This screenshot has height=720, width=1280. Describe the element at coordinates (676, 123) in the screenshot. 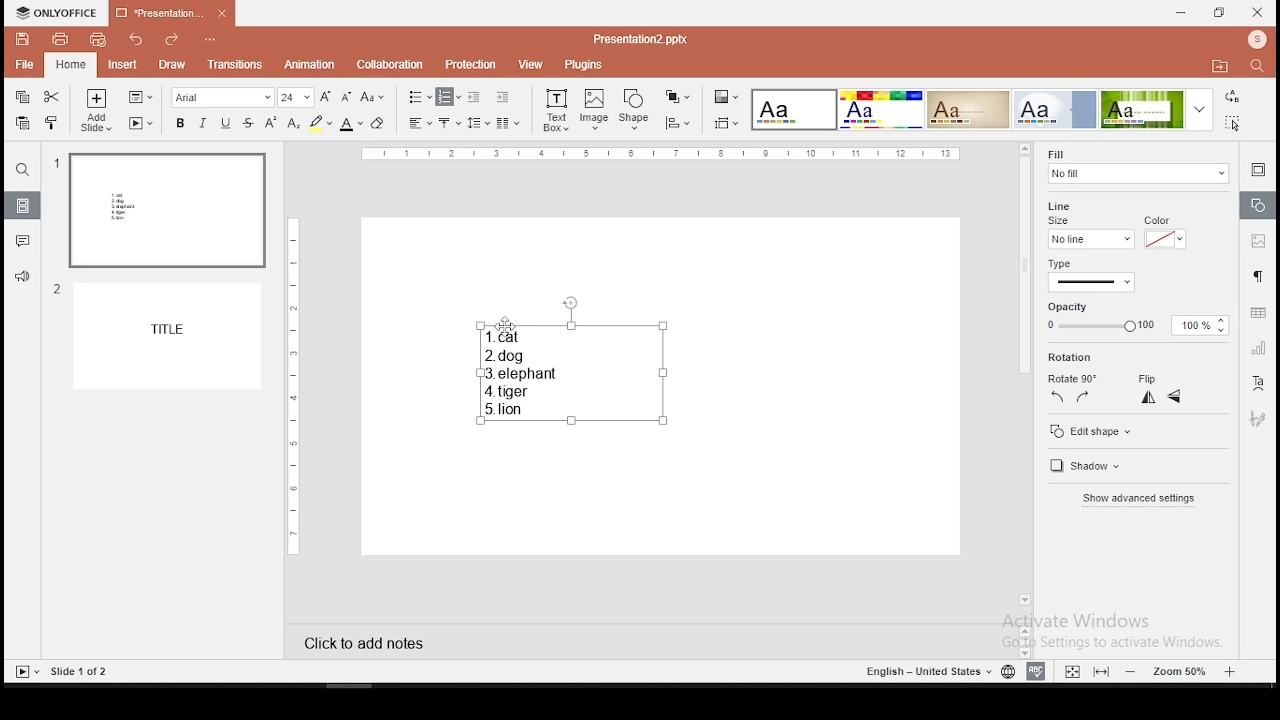

I see `align objects` at that location.